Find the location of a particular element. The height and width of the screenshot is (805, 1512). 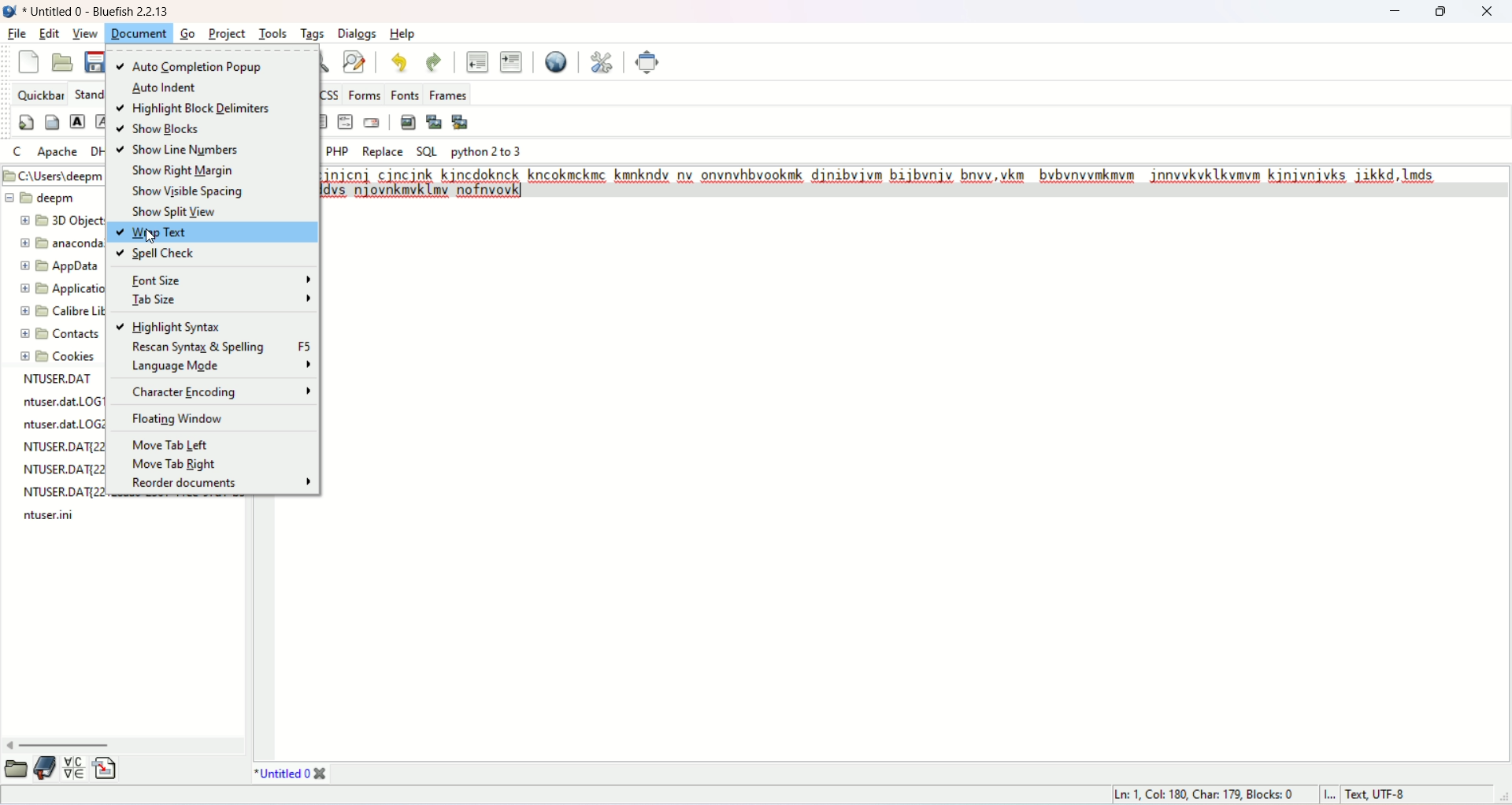

preview in browser is located at coordinates (555, 63).